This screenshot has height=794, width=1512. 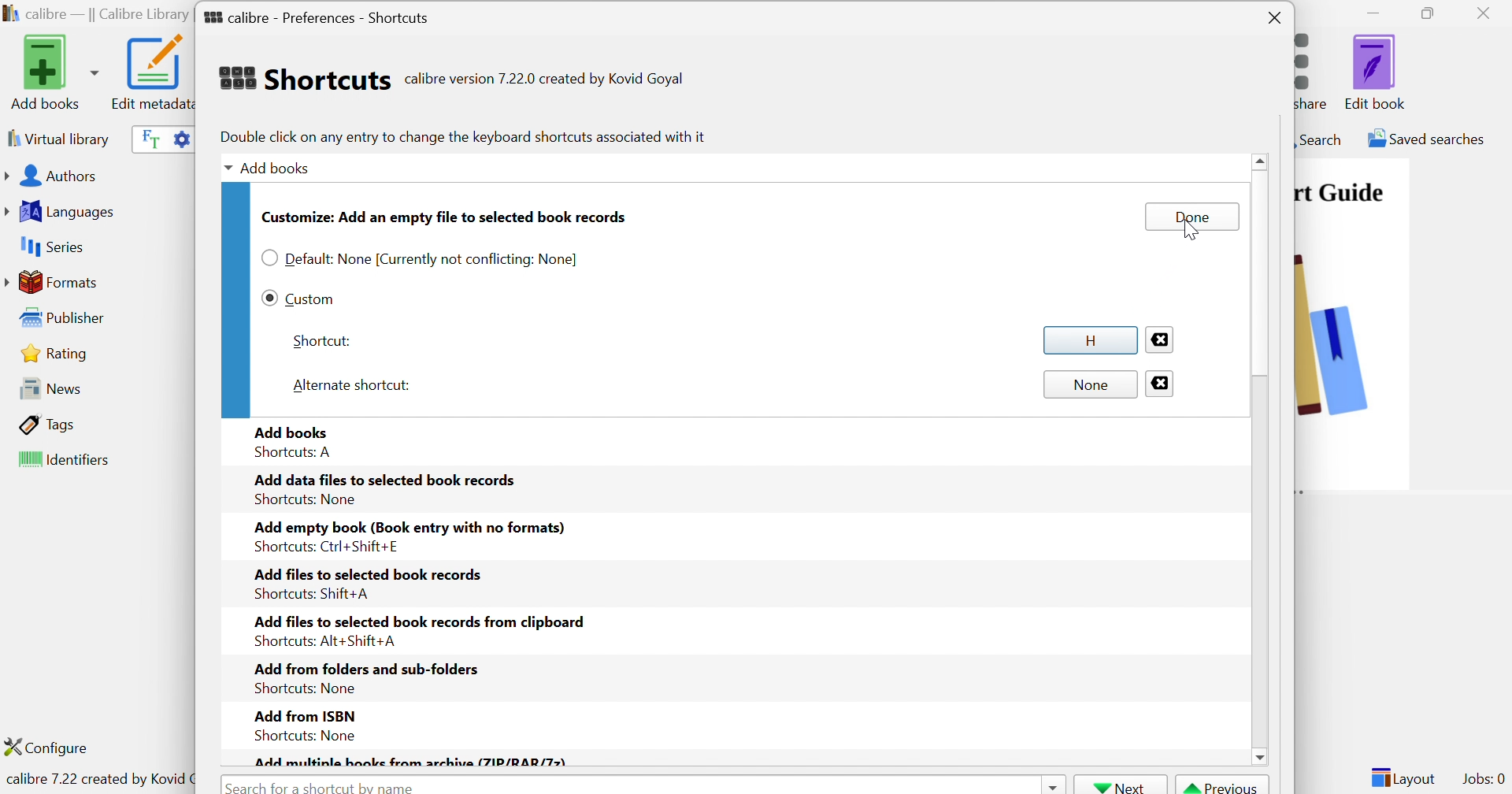 I want to click on Search, so click(x=1319, y=139).